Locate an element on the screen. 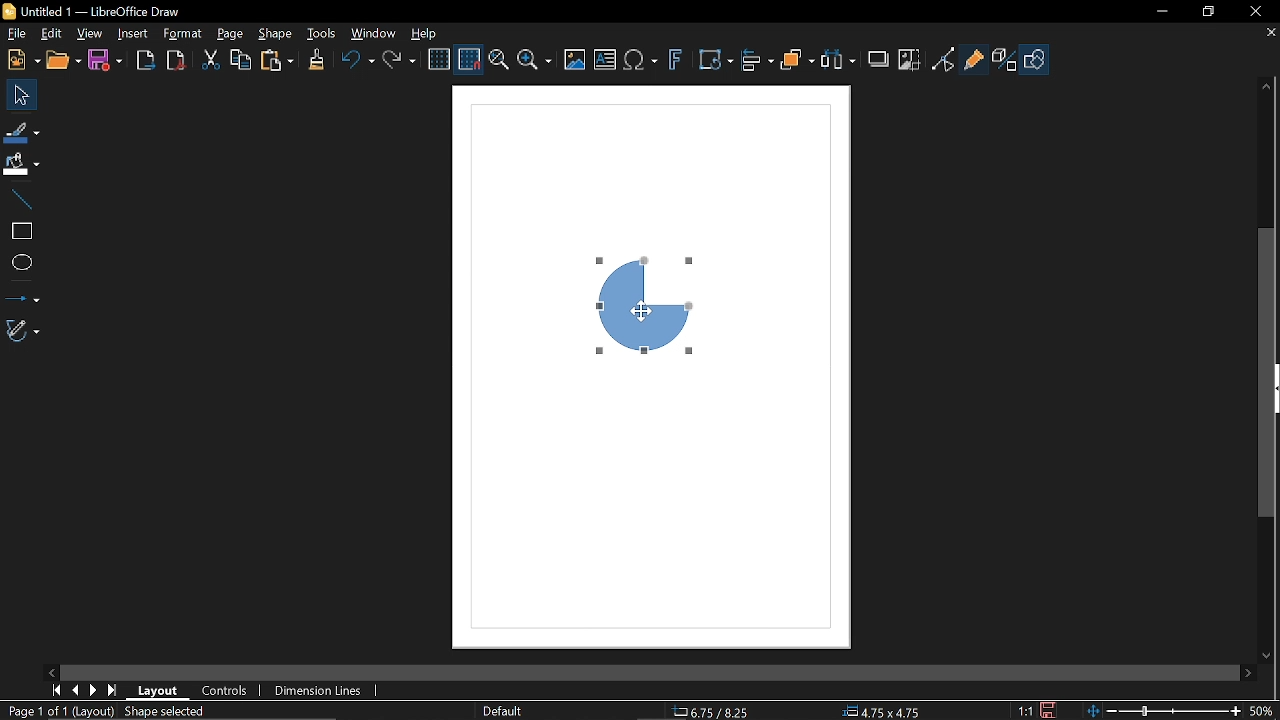 This screenshot has width=1280, height=720. Window is located at coordinates (374, 33).